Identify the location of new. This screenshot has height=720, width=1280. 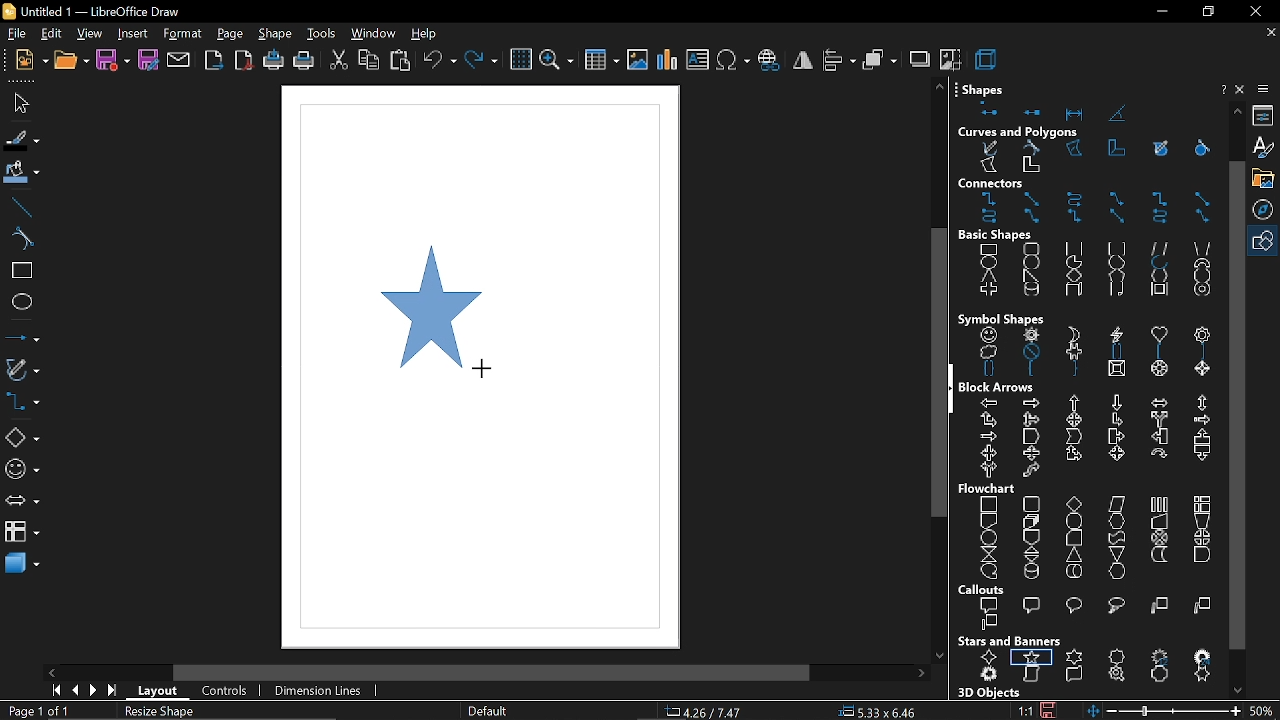
(29, 59).